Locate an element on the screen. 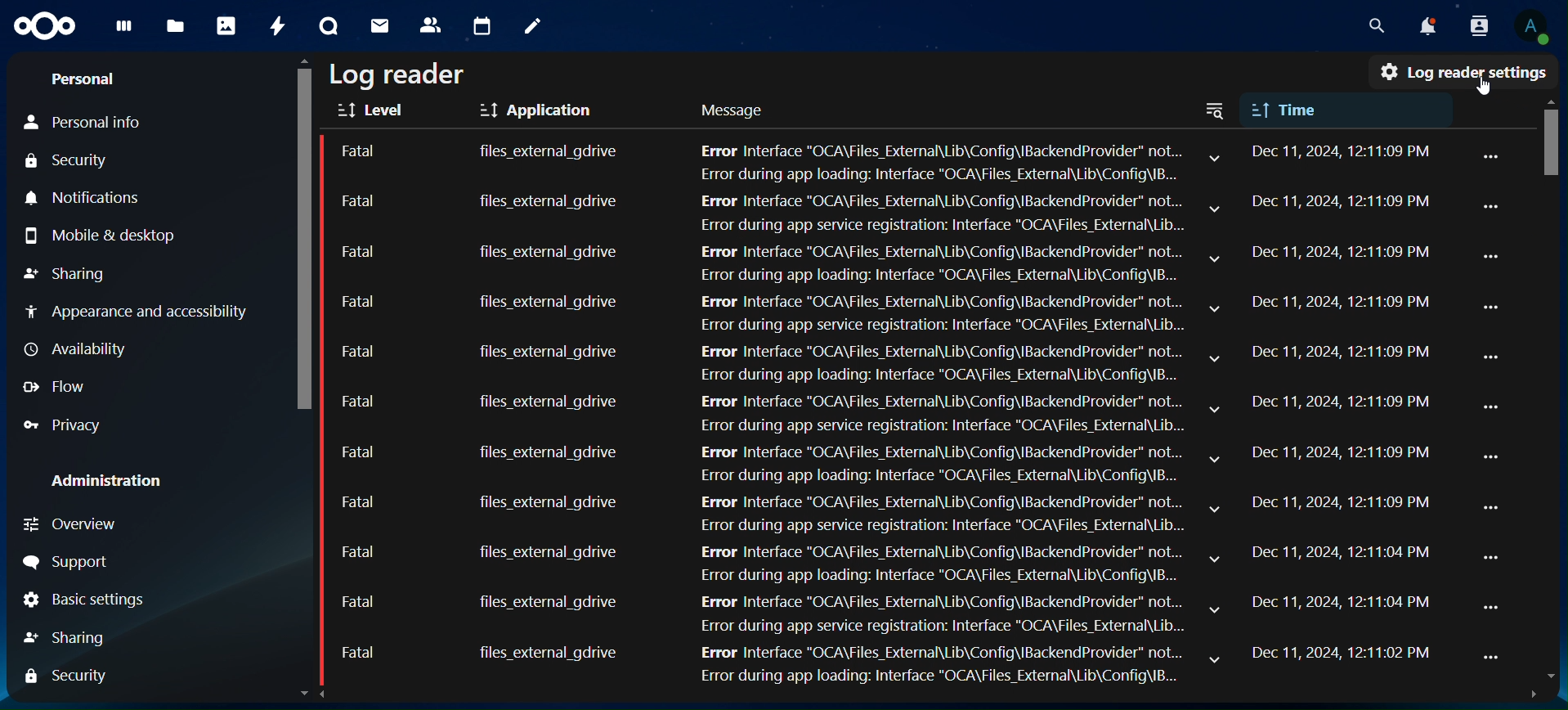  message is located at coordinates (738, 111).